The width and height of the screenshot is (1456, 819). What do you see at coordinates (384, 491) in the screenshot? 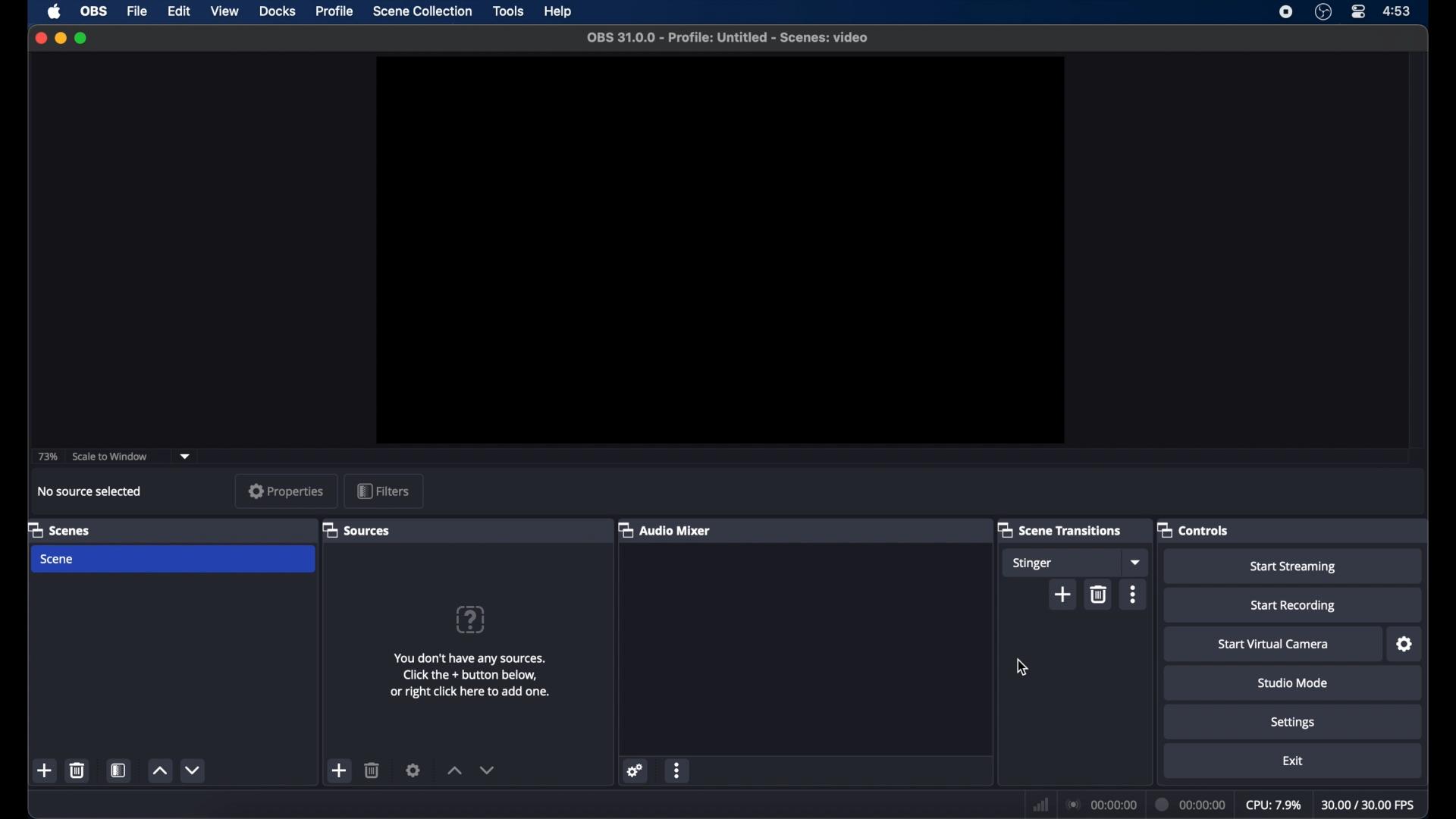
I see `filters` at bounding box center [384, 491].